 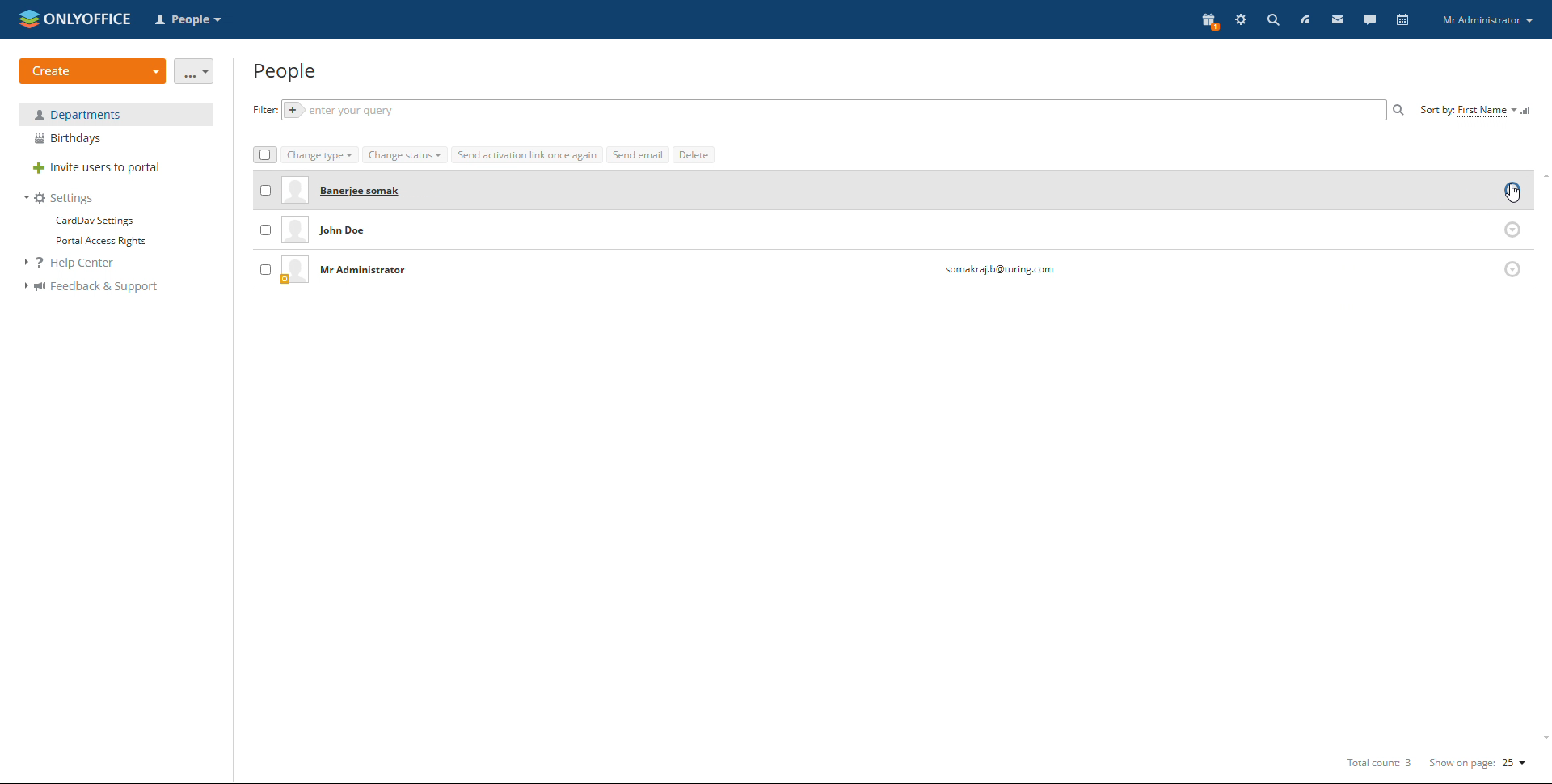 I want to click on people, so click(x=286, y=72).